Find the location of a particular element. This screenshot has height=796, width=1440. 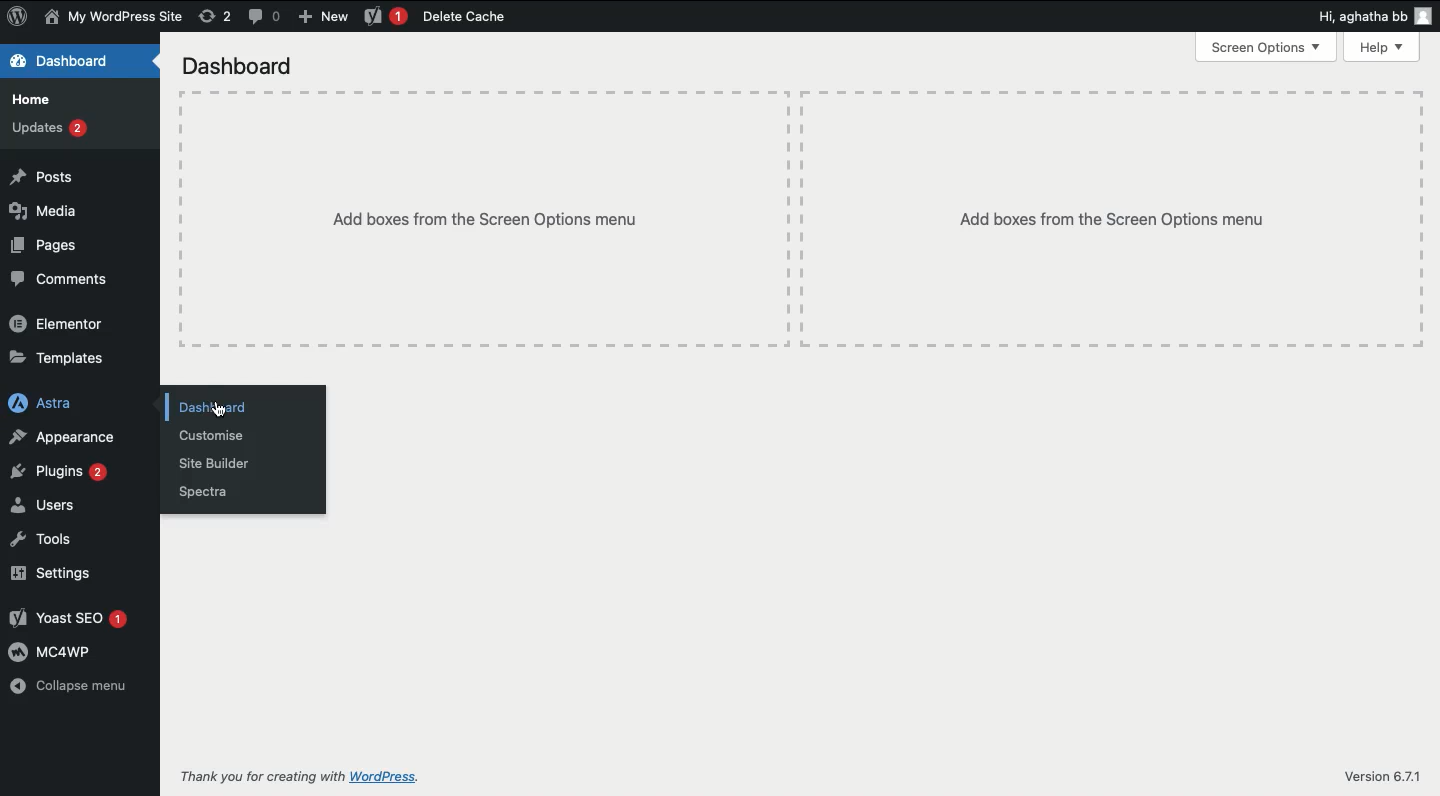

Collapse menu is located at coordinates (71, 685).